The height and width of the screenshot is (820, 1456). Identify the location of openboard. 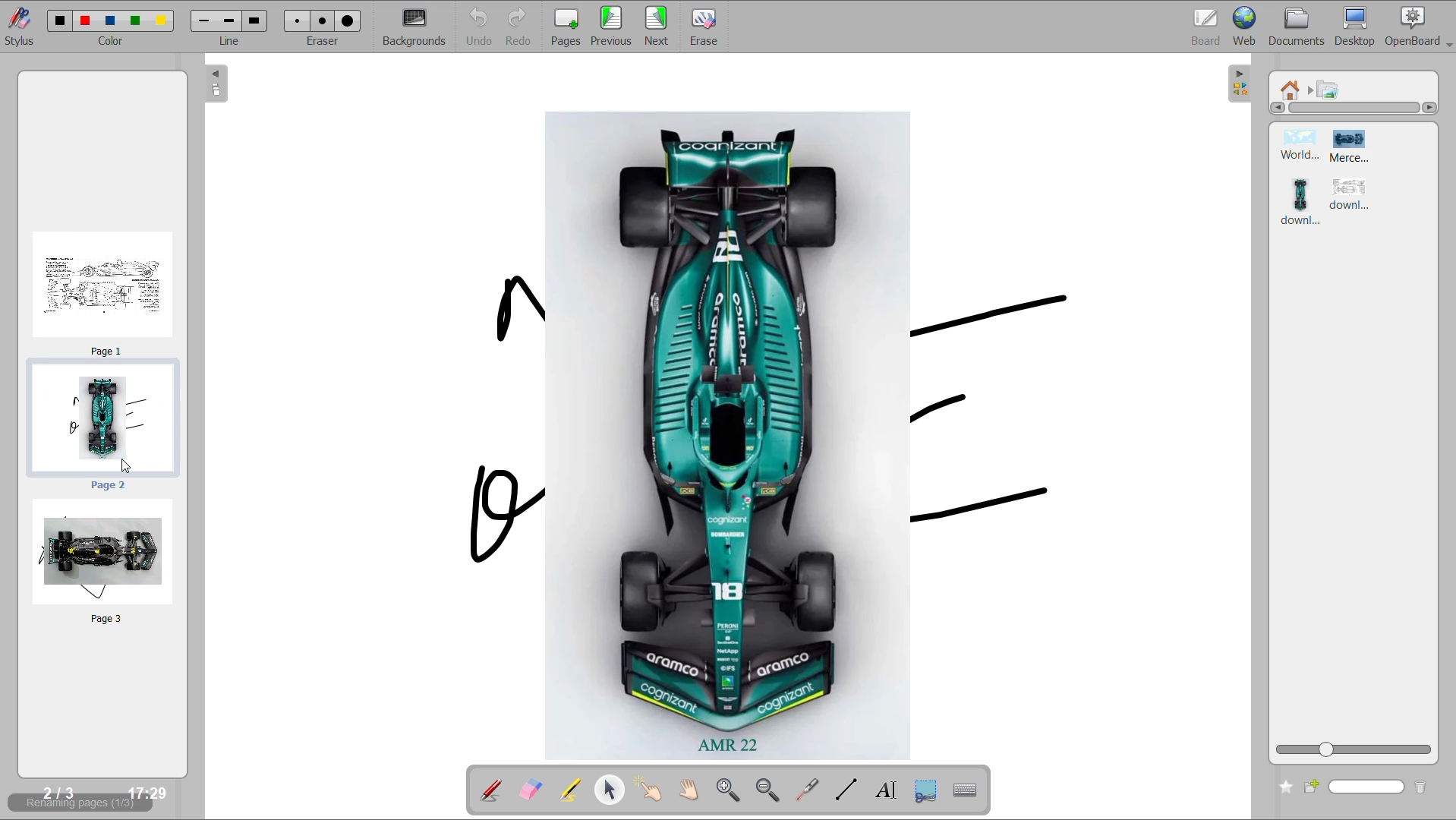
(1420, 27).